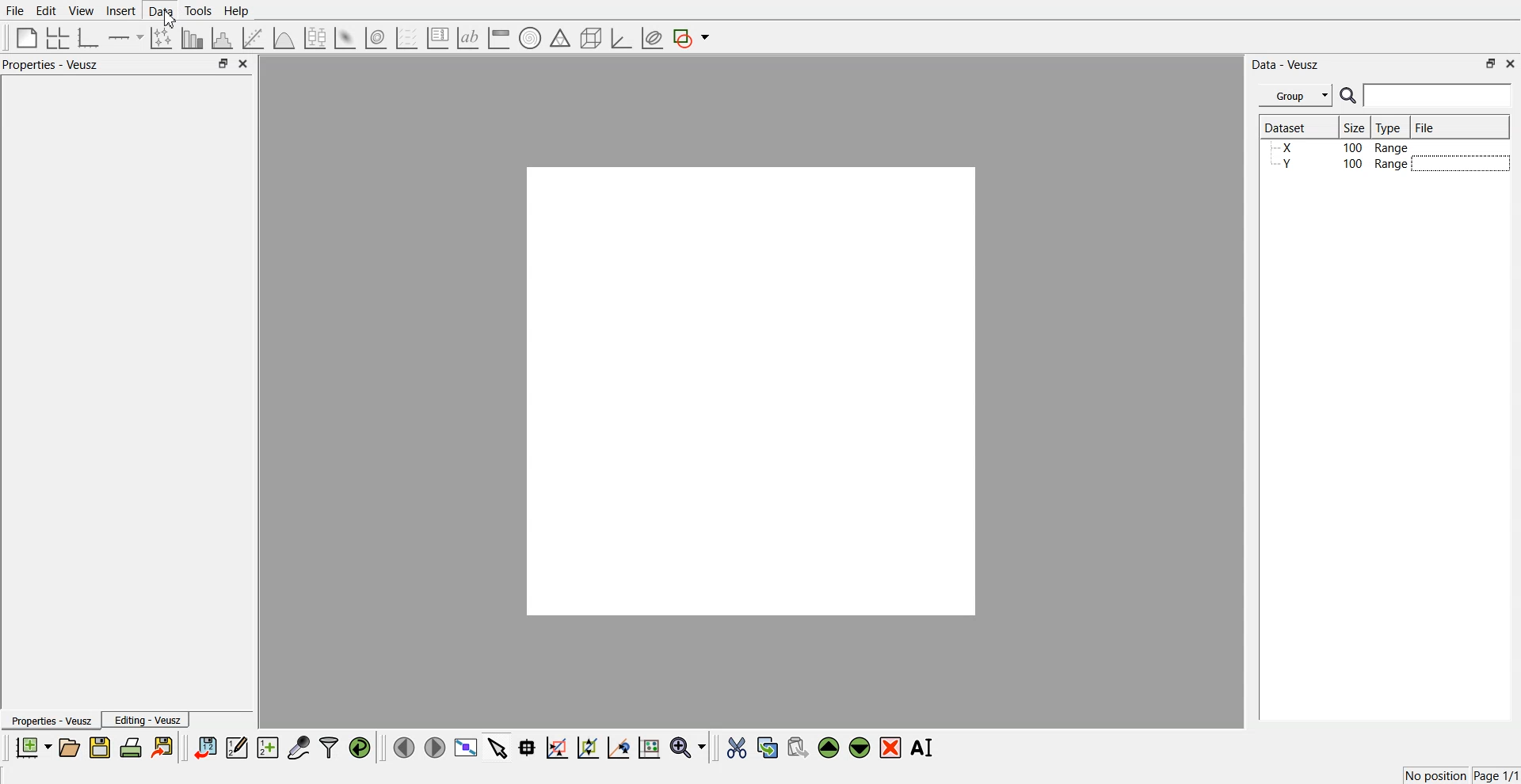  I want to click on Import dataset from veusz, so click(205, 747).